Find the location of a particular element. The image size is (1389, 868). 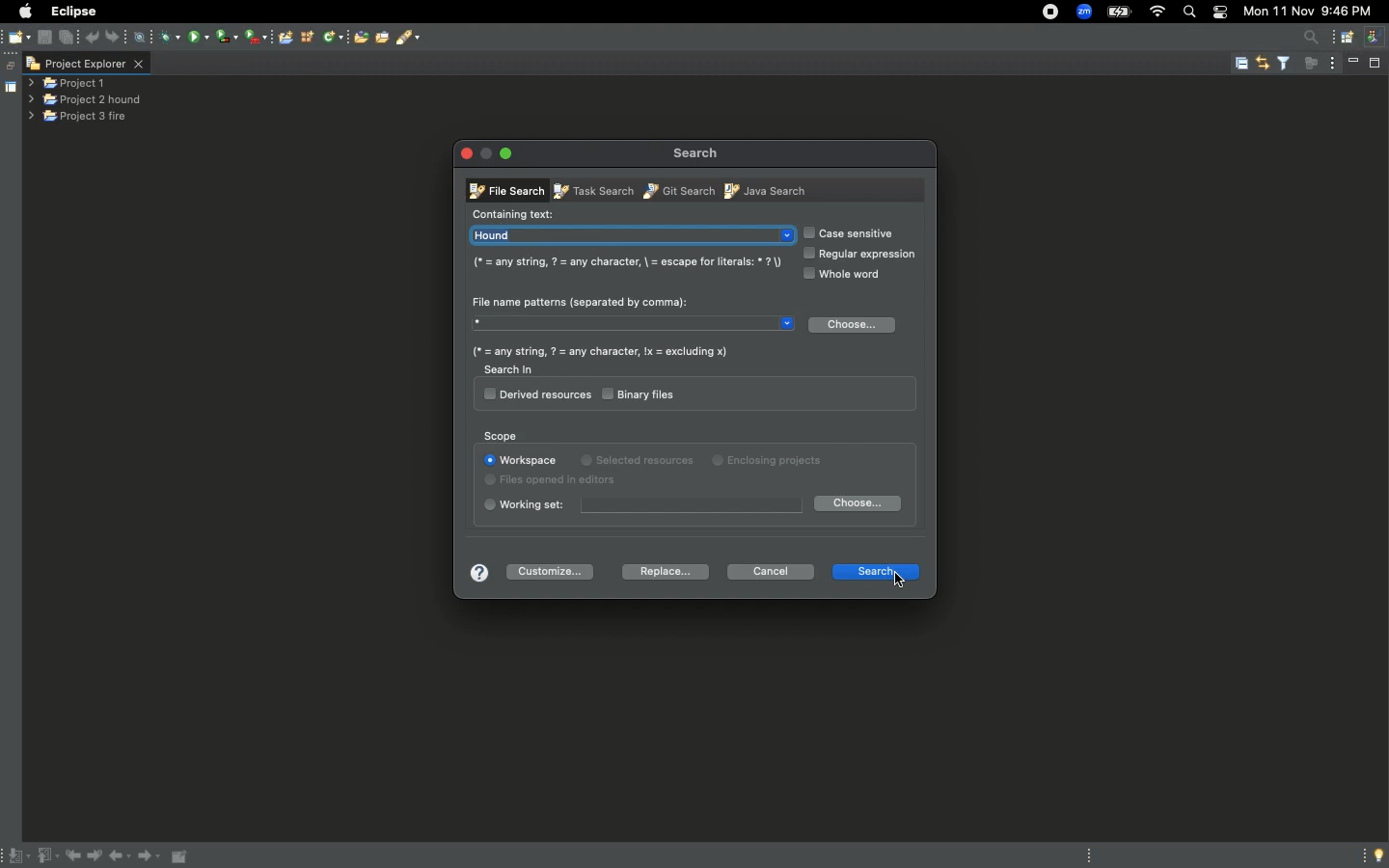

battery is located at coordinates (1123, 12).